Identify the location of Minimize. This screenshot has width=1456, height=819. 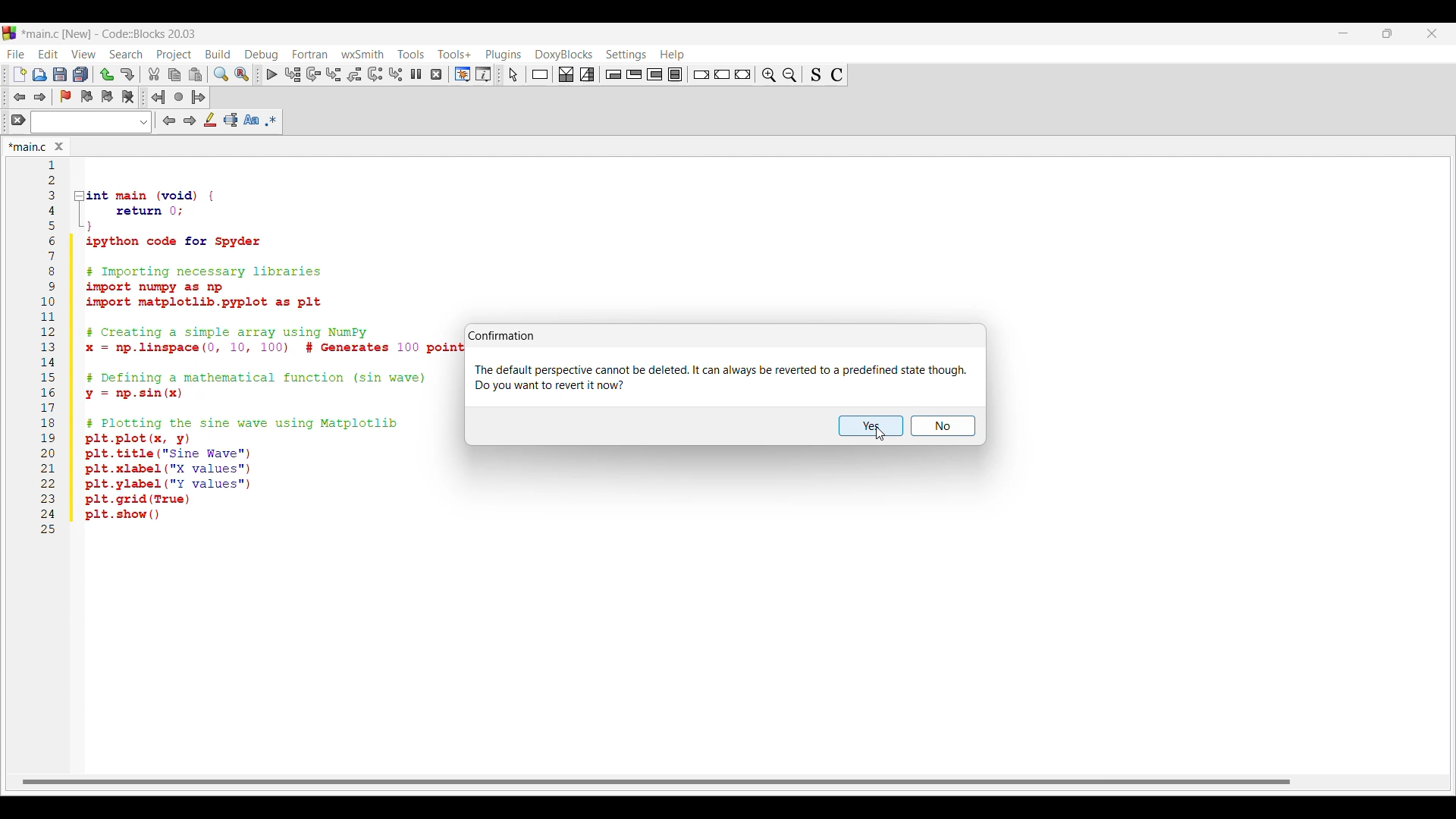
(1344, 33).